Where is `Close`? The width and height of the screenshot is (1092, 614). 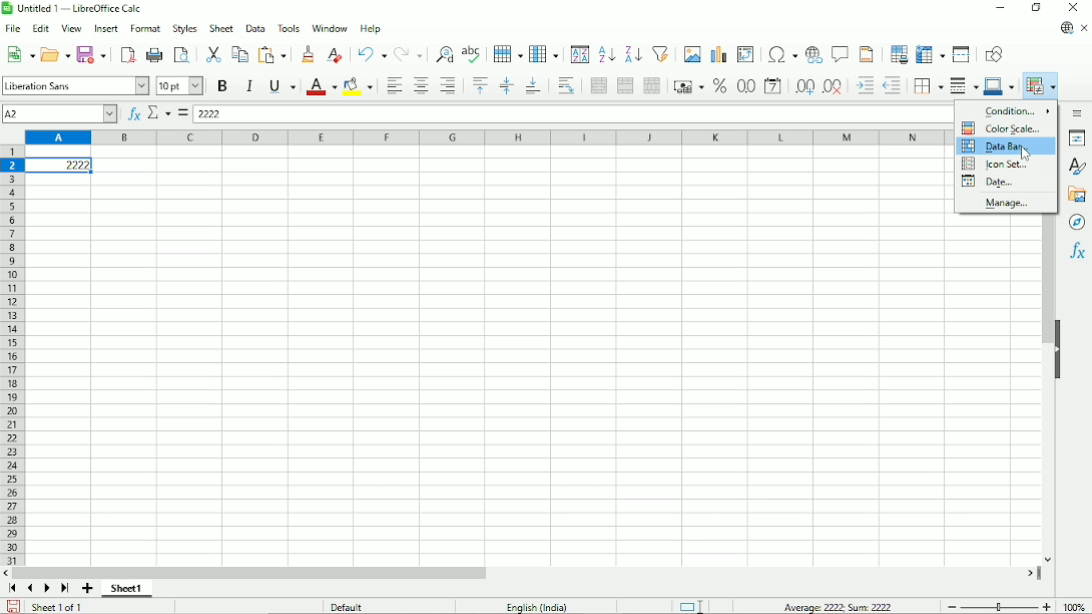
Close is located at coordinates (1073, 8).